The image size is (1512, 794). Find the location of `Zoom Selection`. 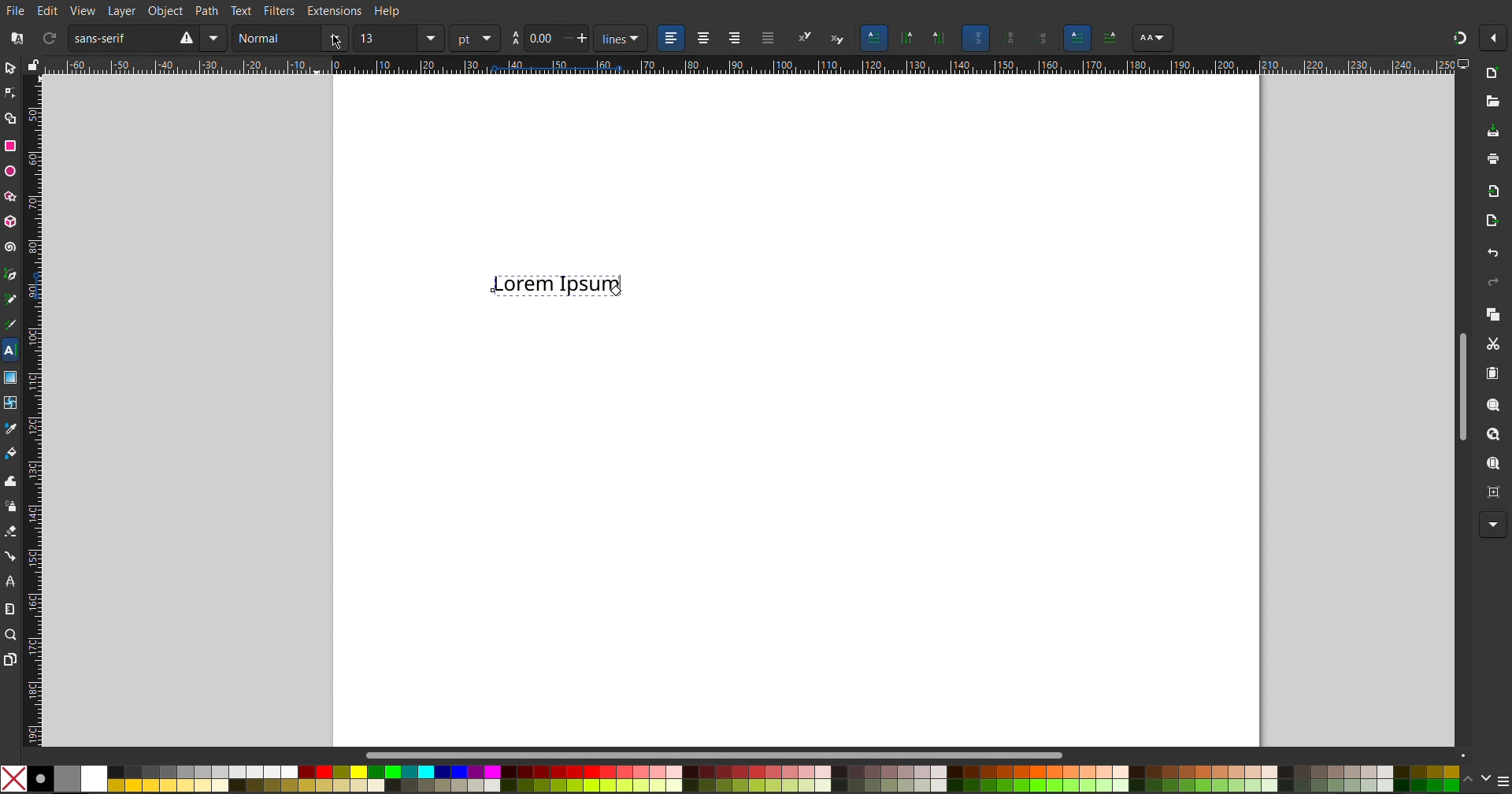

Zoom Selection is located at coordinates (1488, 404).